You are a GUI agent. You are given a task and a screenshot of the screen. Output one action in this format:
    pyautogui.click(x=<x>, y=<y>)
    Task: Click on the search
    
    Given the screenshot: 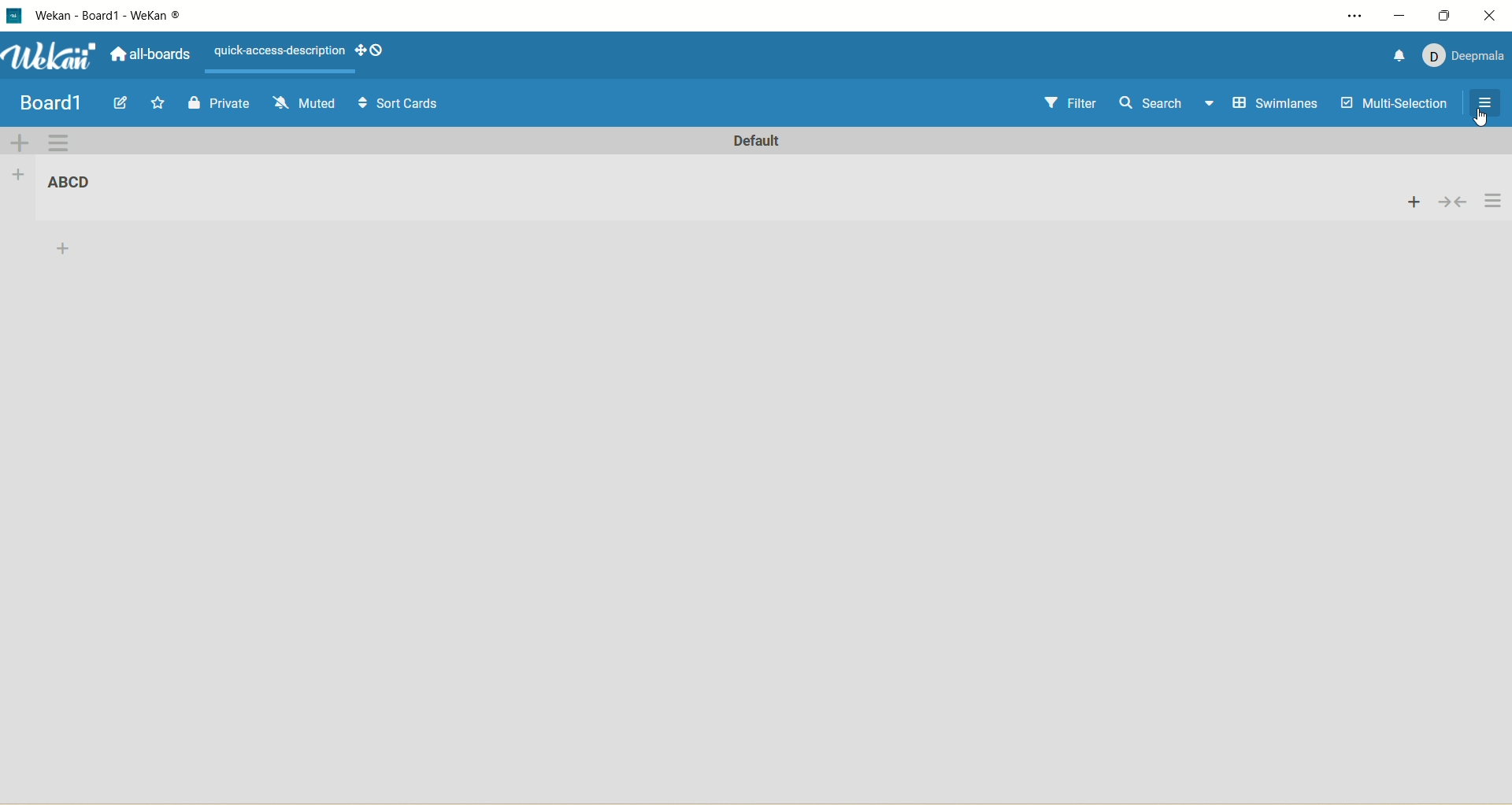 What is the action you would take?
    pyautogui.click(x=1165, y=105)
    